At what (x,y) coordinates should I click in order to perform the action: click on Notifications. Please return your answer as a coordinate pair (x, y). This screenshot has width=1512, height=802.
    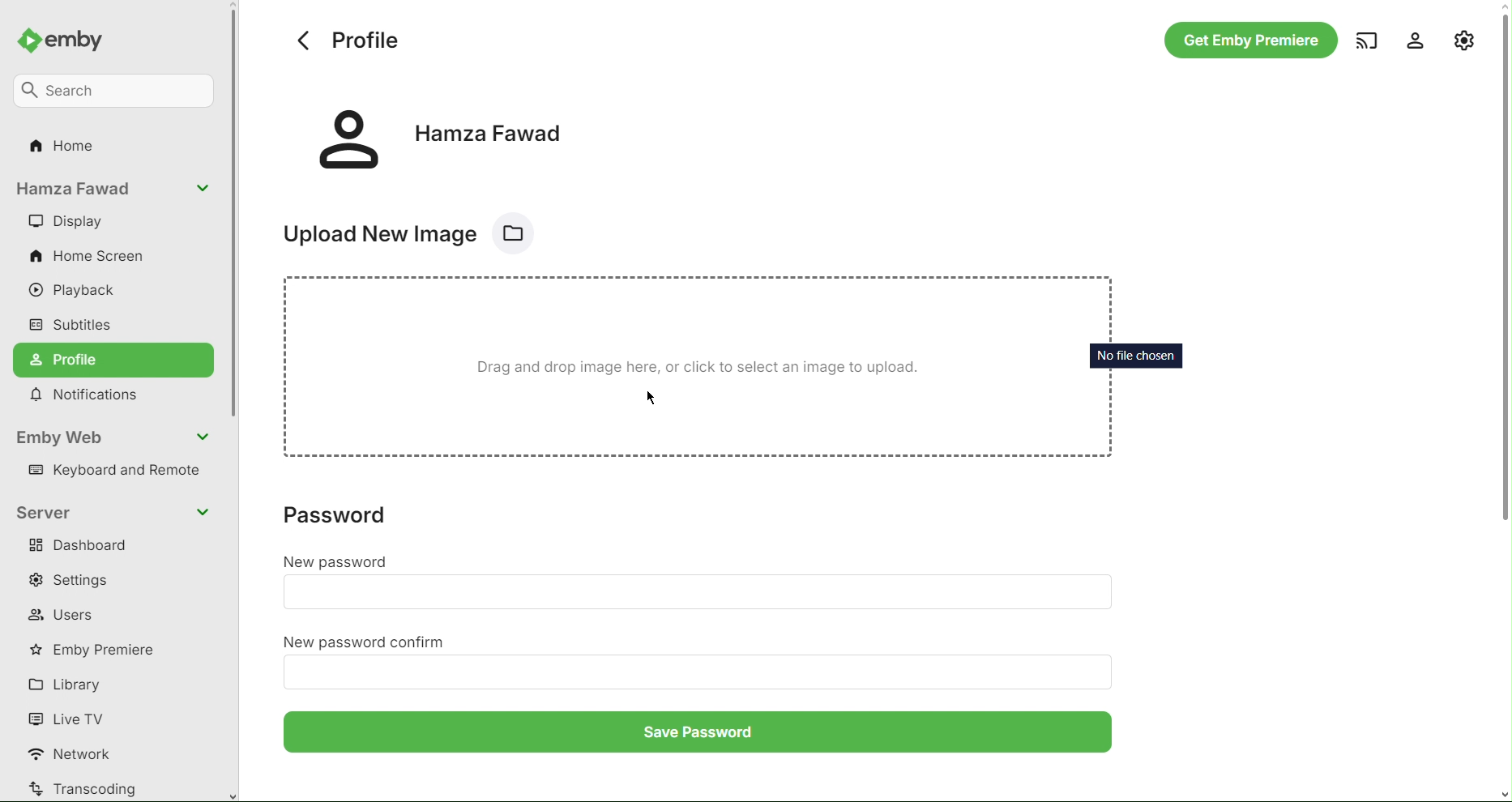
    Looking at the image, I should click on (91, 396).